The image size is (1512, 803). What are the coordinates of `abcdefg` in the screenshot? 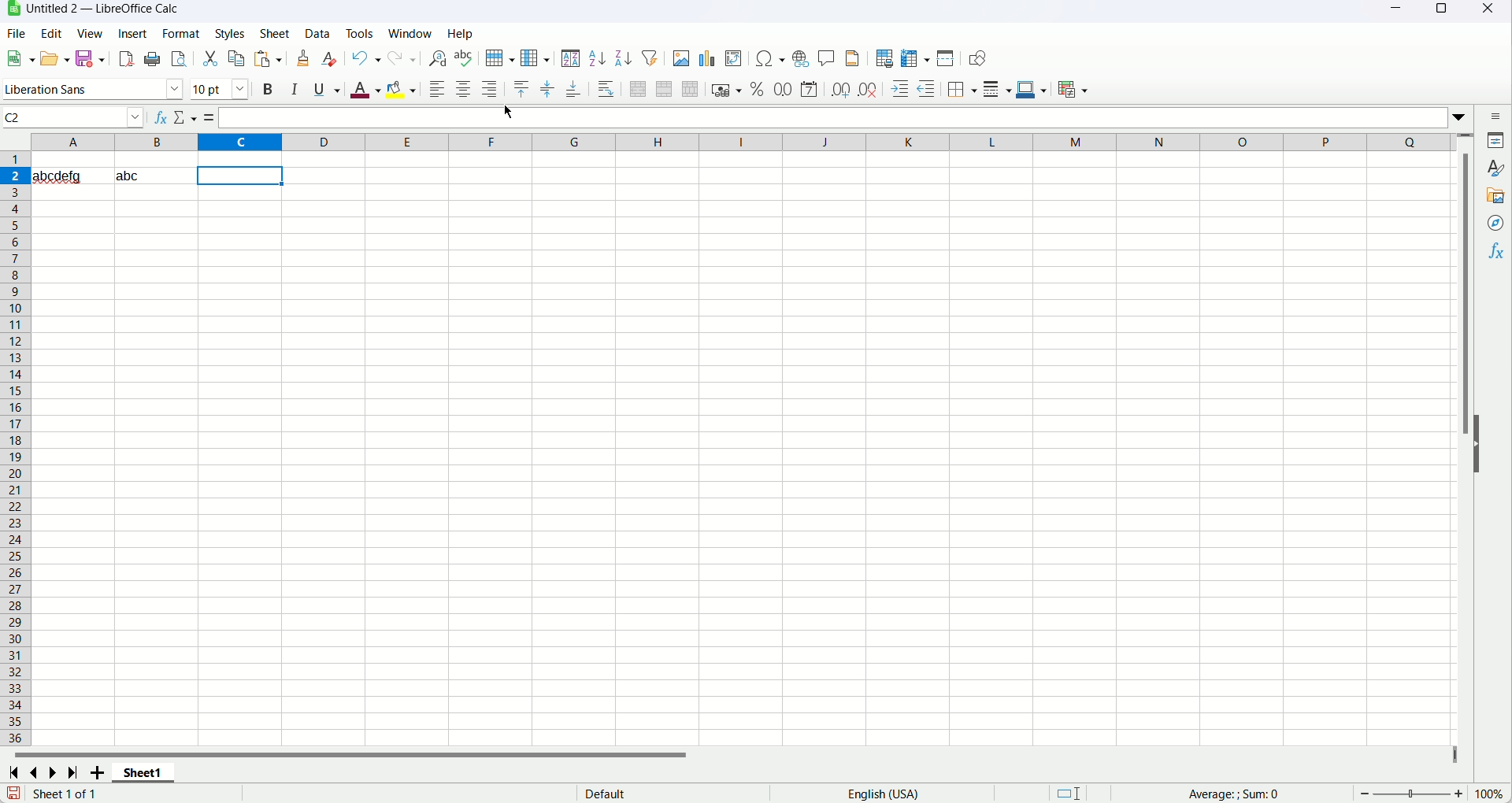 It's located at (69, 176).